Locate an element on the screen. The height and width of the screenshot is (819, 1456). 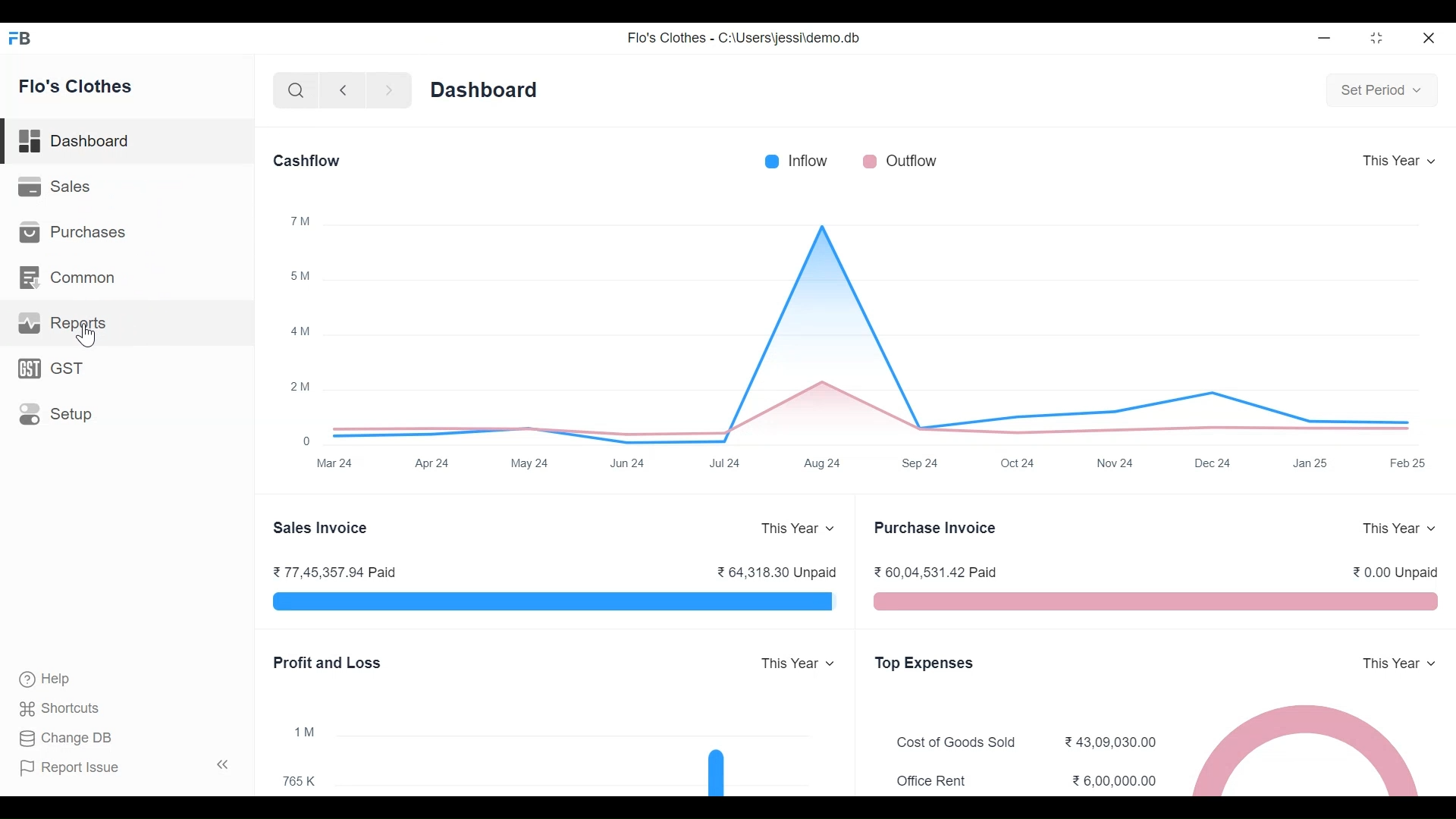
Top Expenses is located at coordinates (924, 663).